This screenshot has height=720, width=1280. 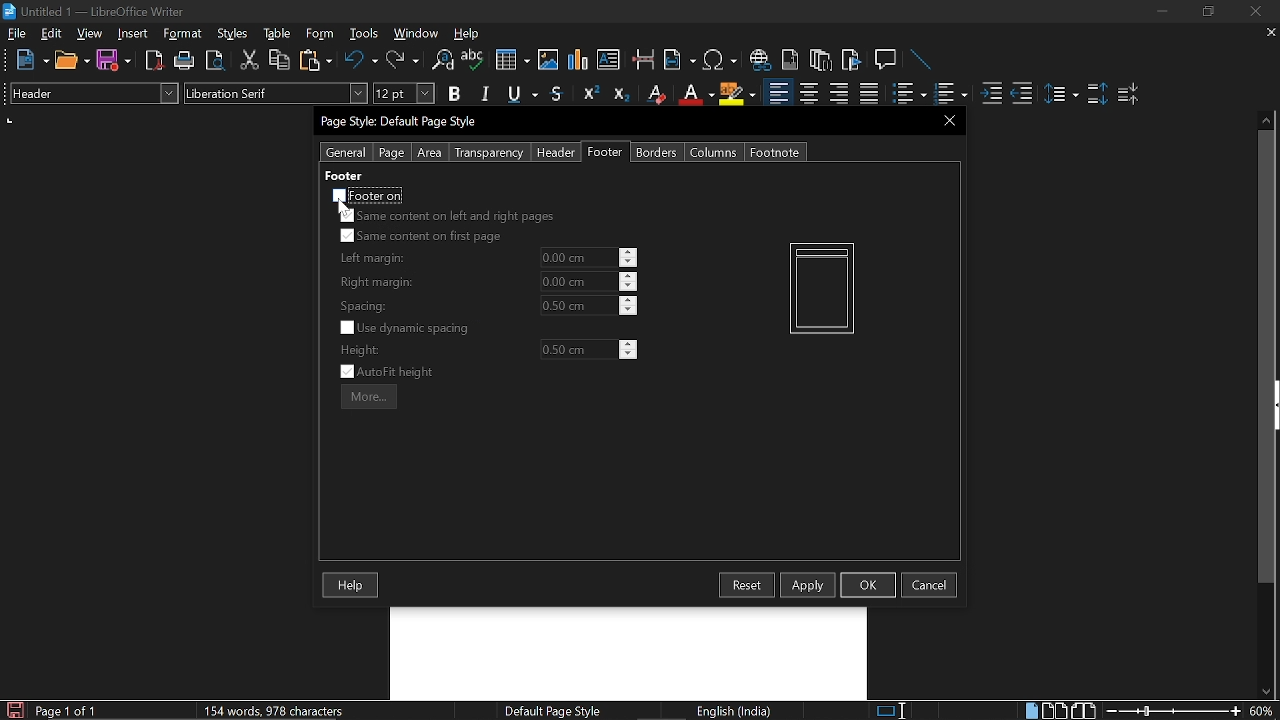 I want to click on current spacing, so click(x=578, y=305).